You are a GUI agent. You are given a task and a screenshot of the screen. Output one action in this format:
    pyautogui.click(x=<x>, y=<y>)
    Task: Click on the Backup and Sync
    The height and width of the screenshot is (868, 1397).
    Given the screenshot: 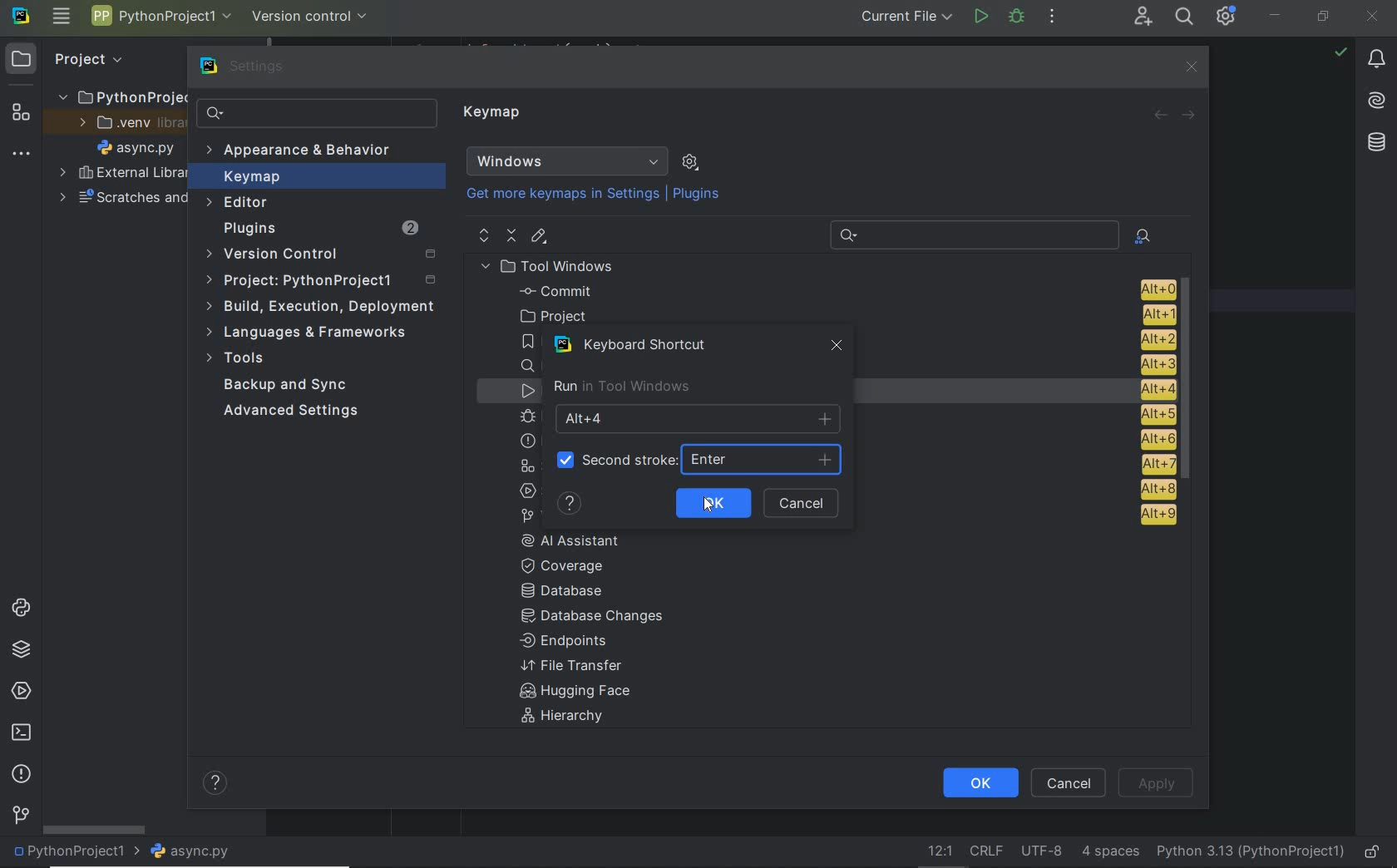 What is the action you would take?
    pyautogui.click(x=287, y=386)
    